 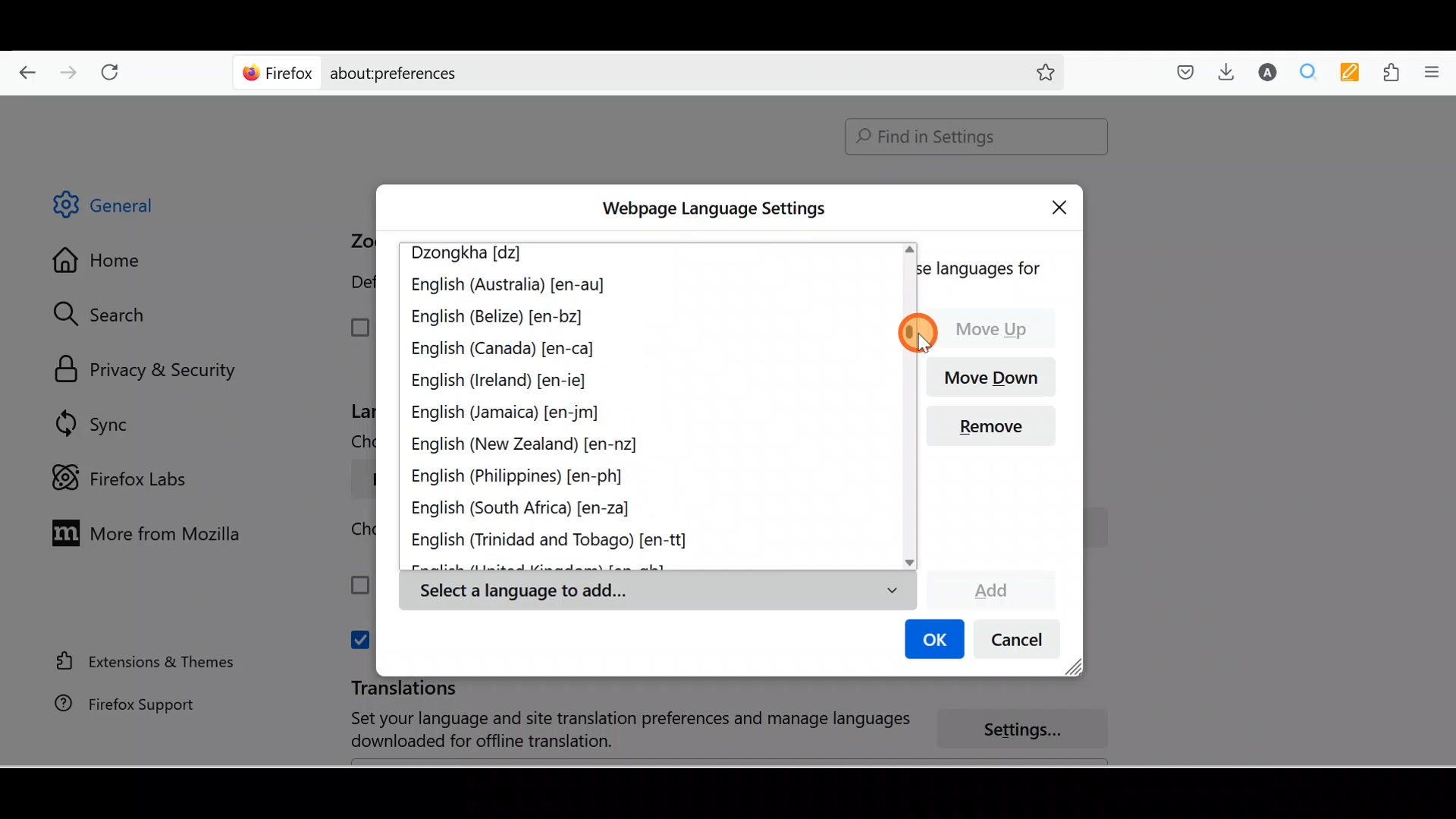 I want to click on English (Belize) [en-bz], so click(x=497, y=318).